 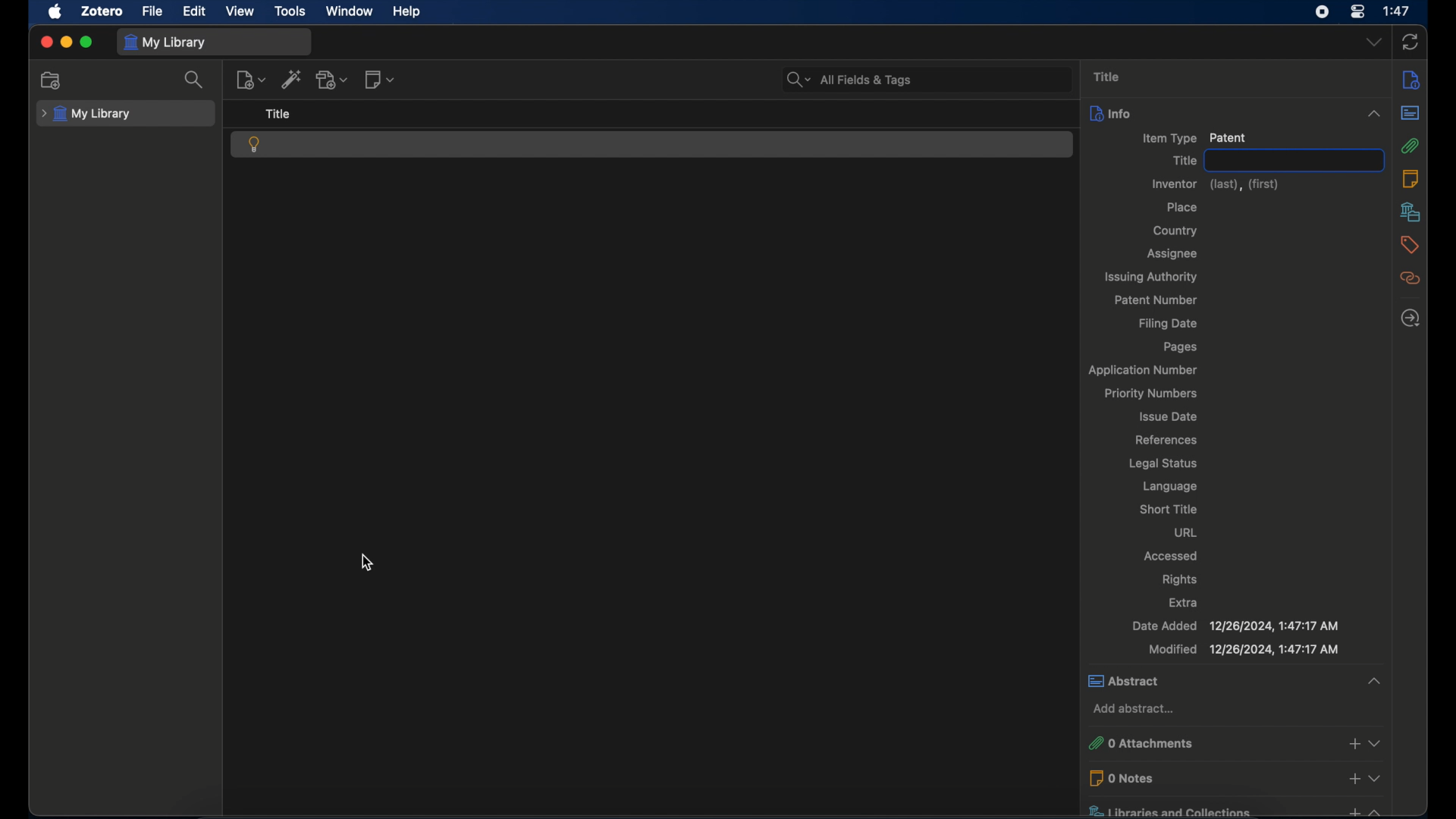 I want to click on notes, so click(x=1411, y=179).